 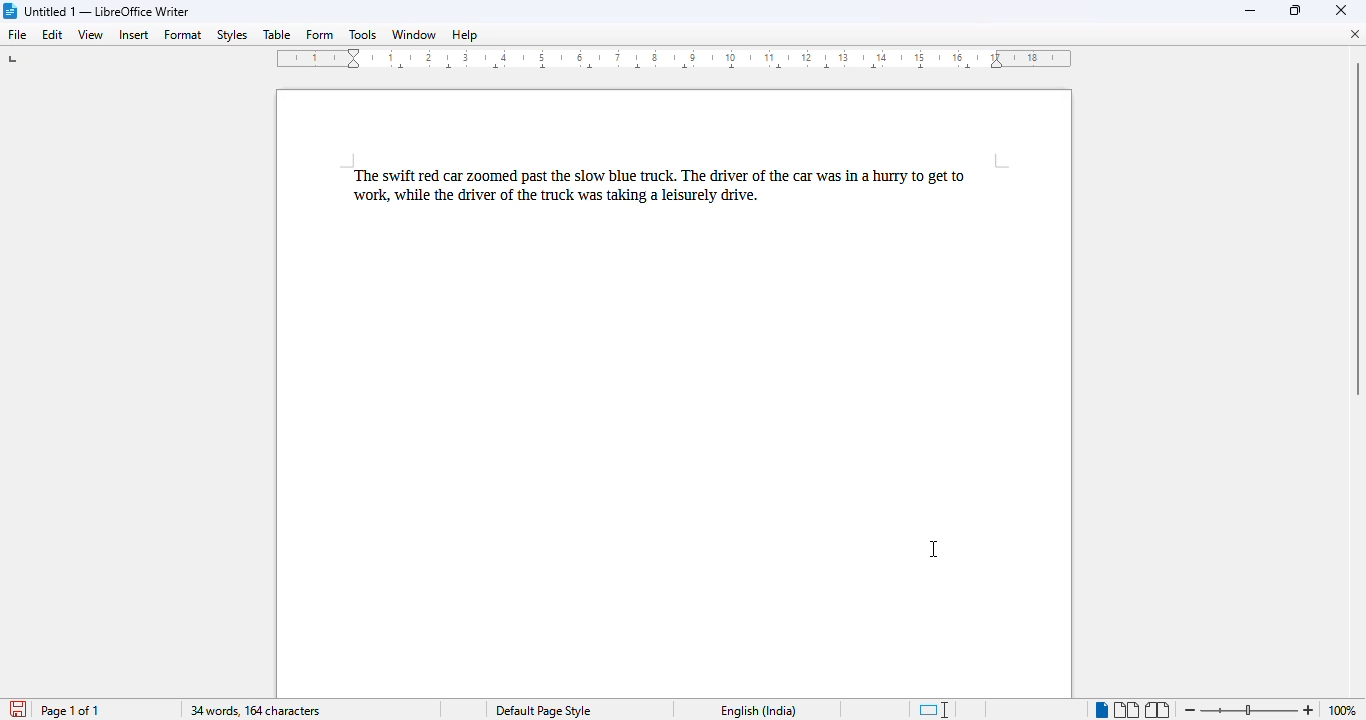 What do you see at coordinates (14, 62) in the screenshot?
I see `tap stop` at bounding box center [14, 62].